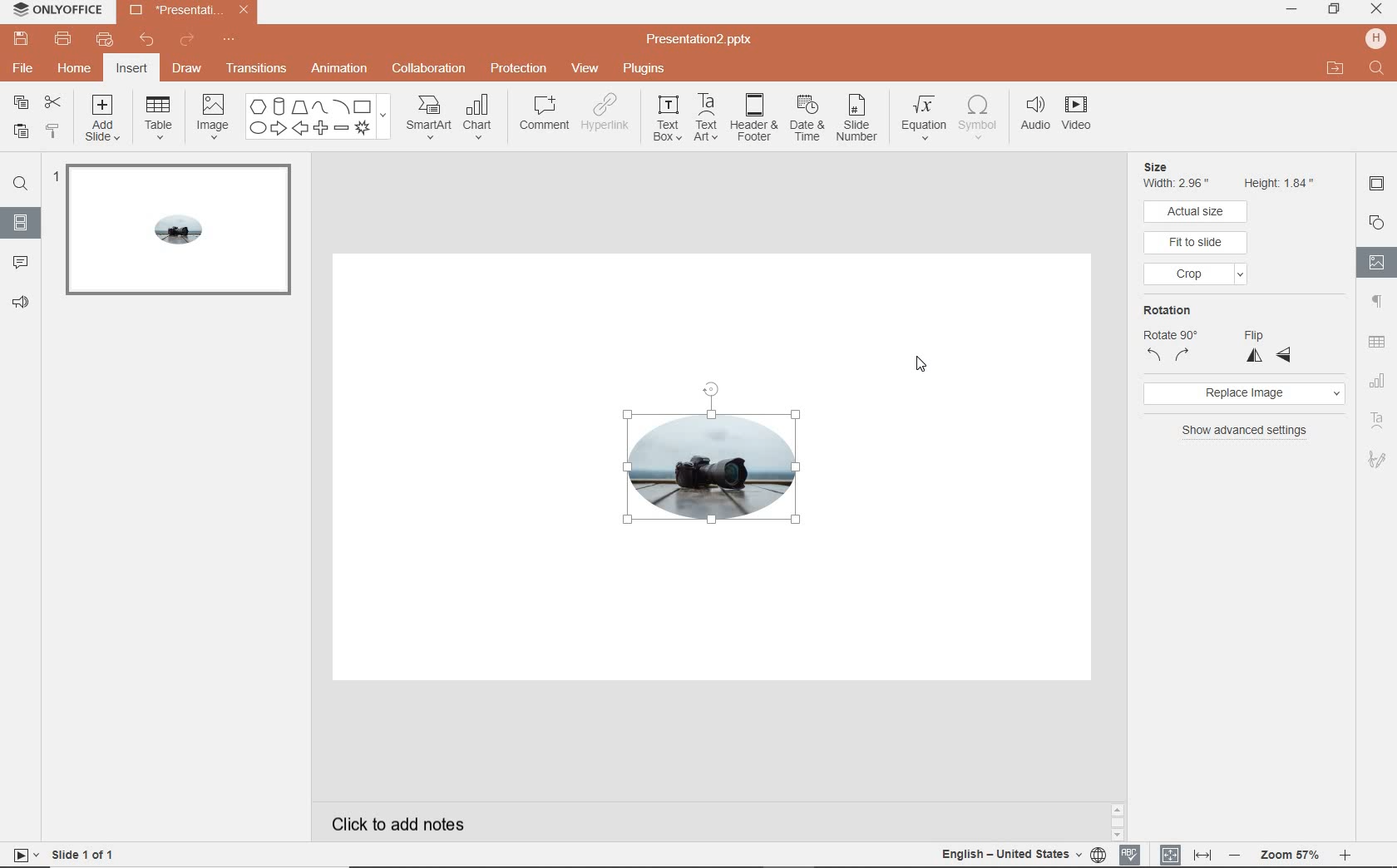  Describe the element at coordinates (1379, 379) in the screenshot. I see `chart` at that location.